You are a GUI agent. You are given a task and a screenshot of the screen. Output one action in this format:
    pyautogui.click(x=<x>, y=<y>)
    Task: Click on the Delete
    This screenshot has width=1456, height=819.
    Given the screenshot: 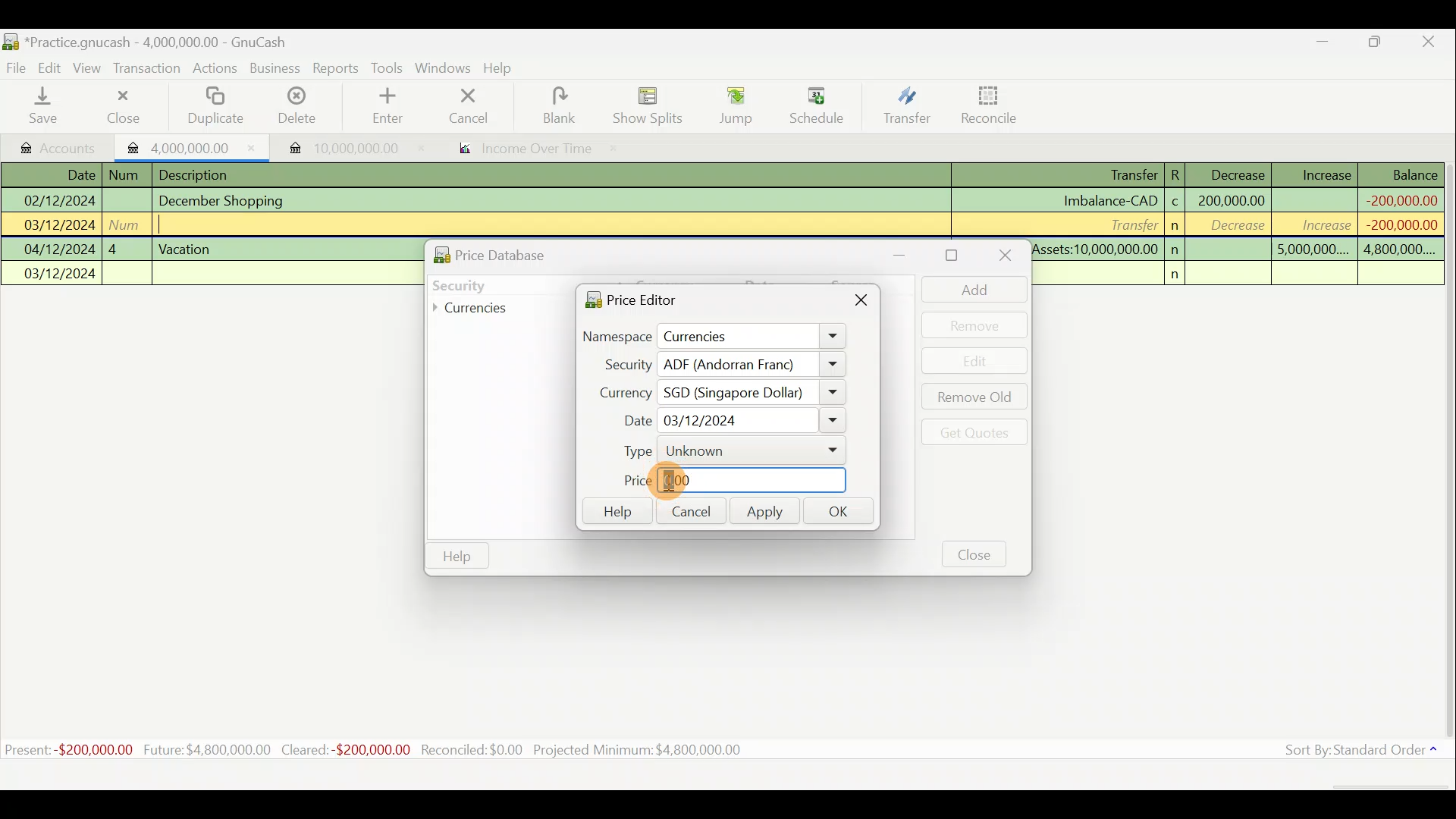 What is the action you would take?
    pyautogui.click(x=298, y=106)
    